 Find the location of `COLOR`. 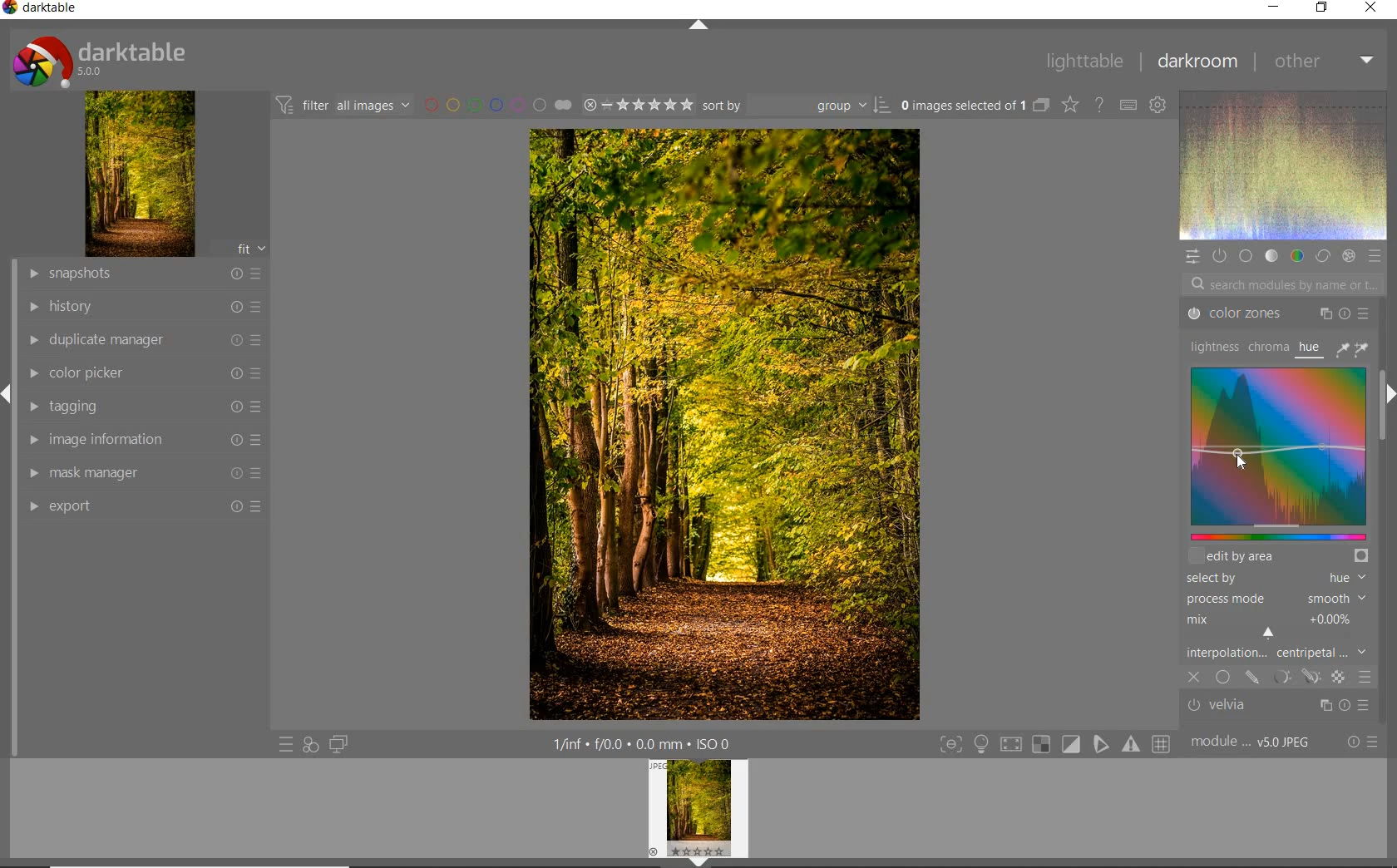

COLOR is located at coordinates (1299, 256).